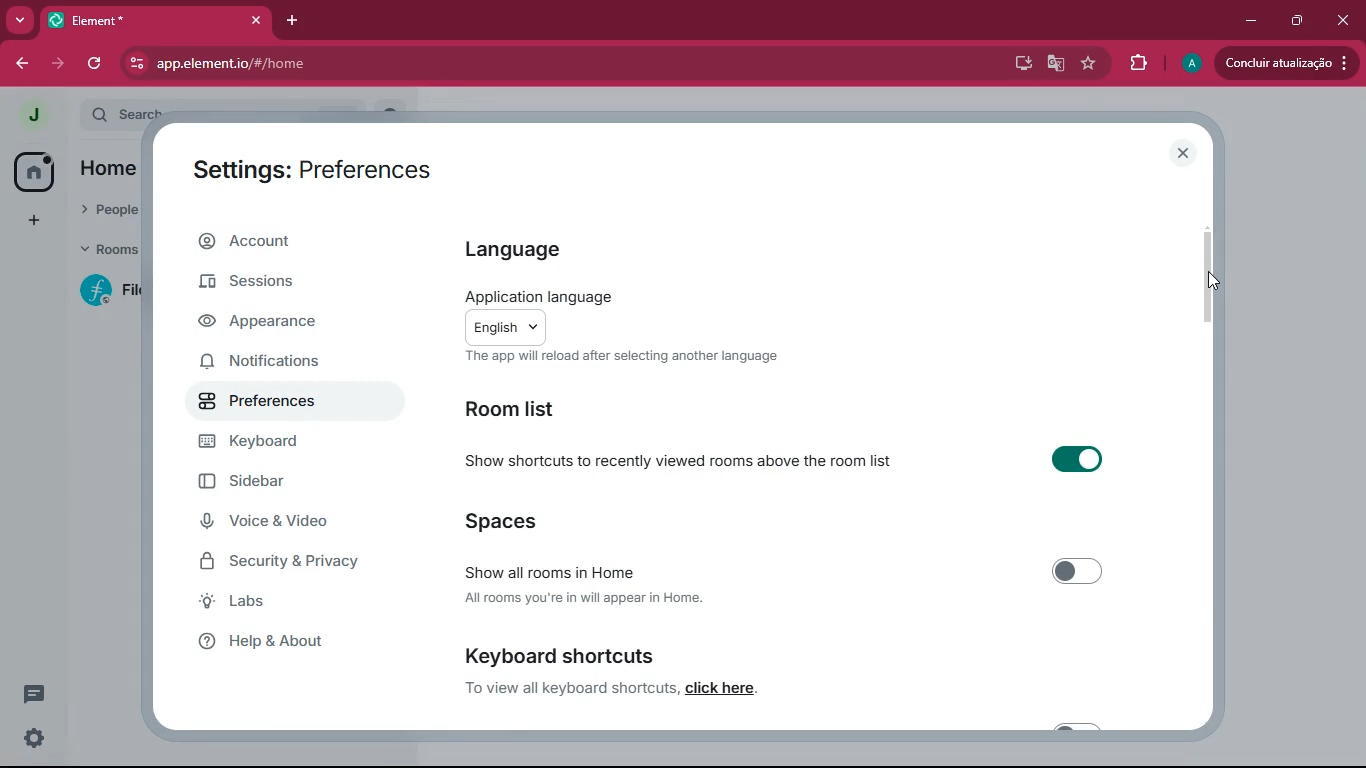 This screenshot has height=768, width=1366. Describe the element at coordinates (541, 519) in the screenshot. I see `spaces` at that location.